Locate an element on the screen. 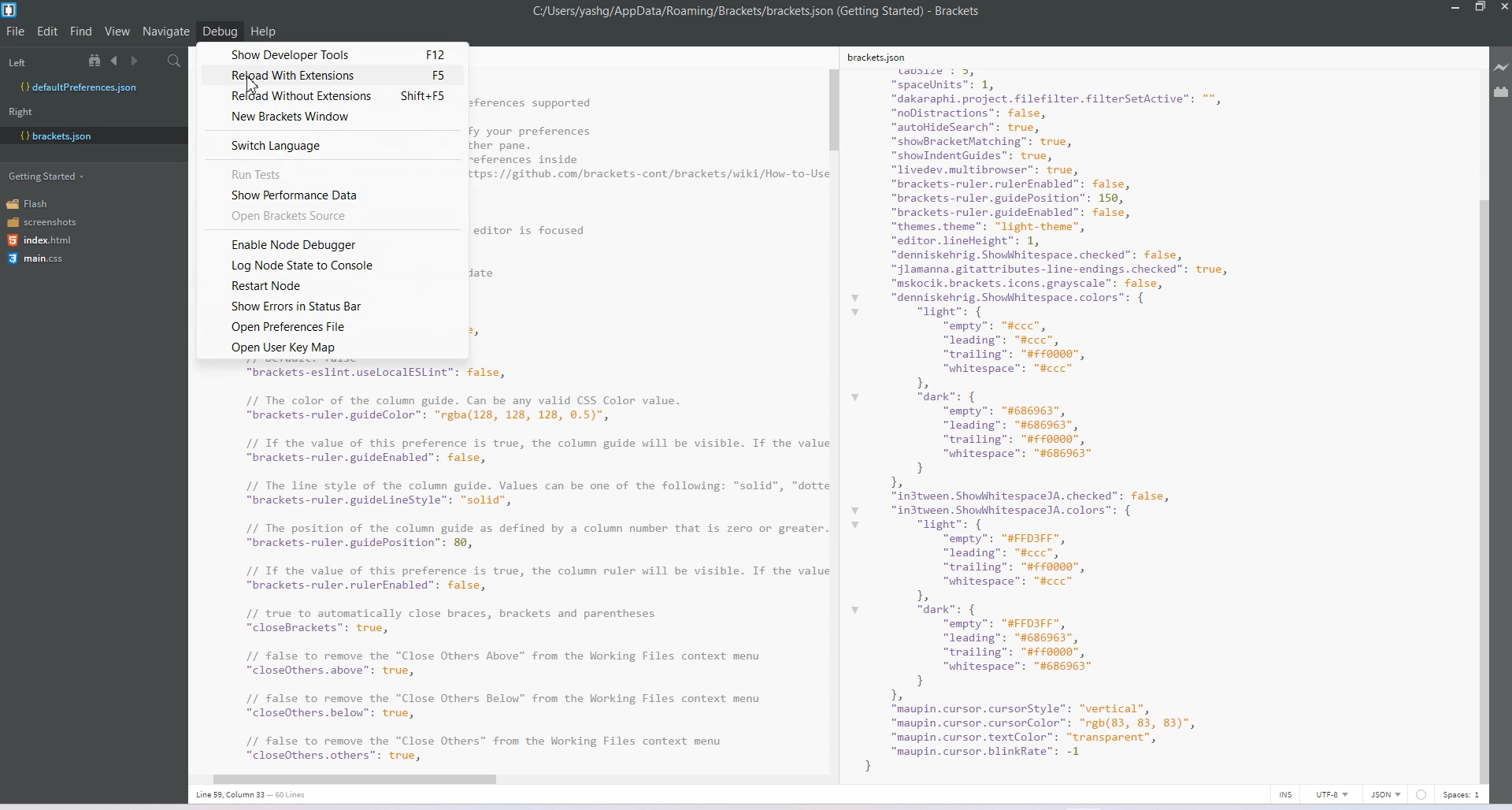 The width and height of the screenshot is (1512, 810). Edit is located at coordinates (49, 31).